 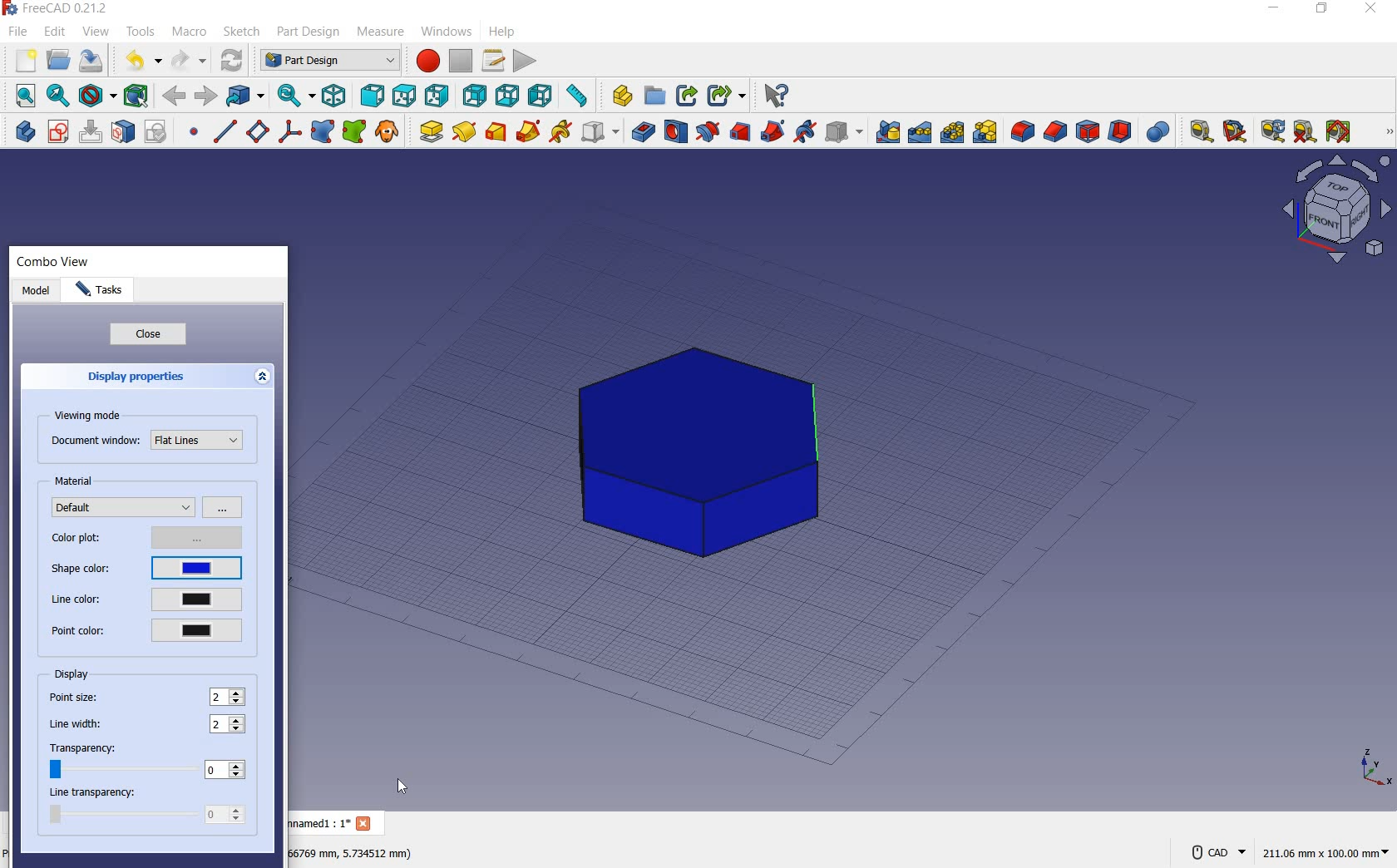 What do you see at coordinates (123, 506) in the screenshot?
I see `default` at bounding box center [123, 506].